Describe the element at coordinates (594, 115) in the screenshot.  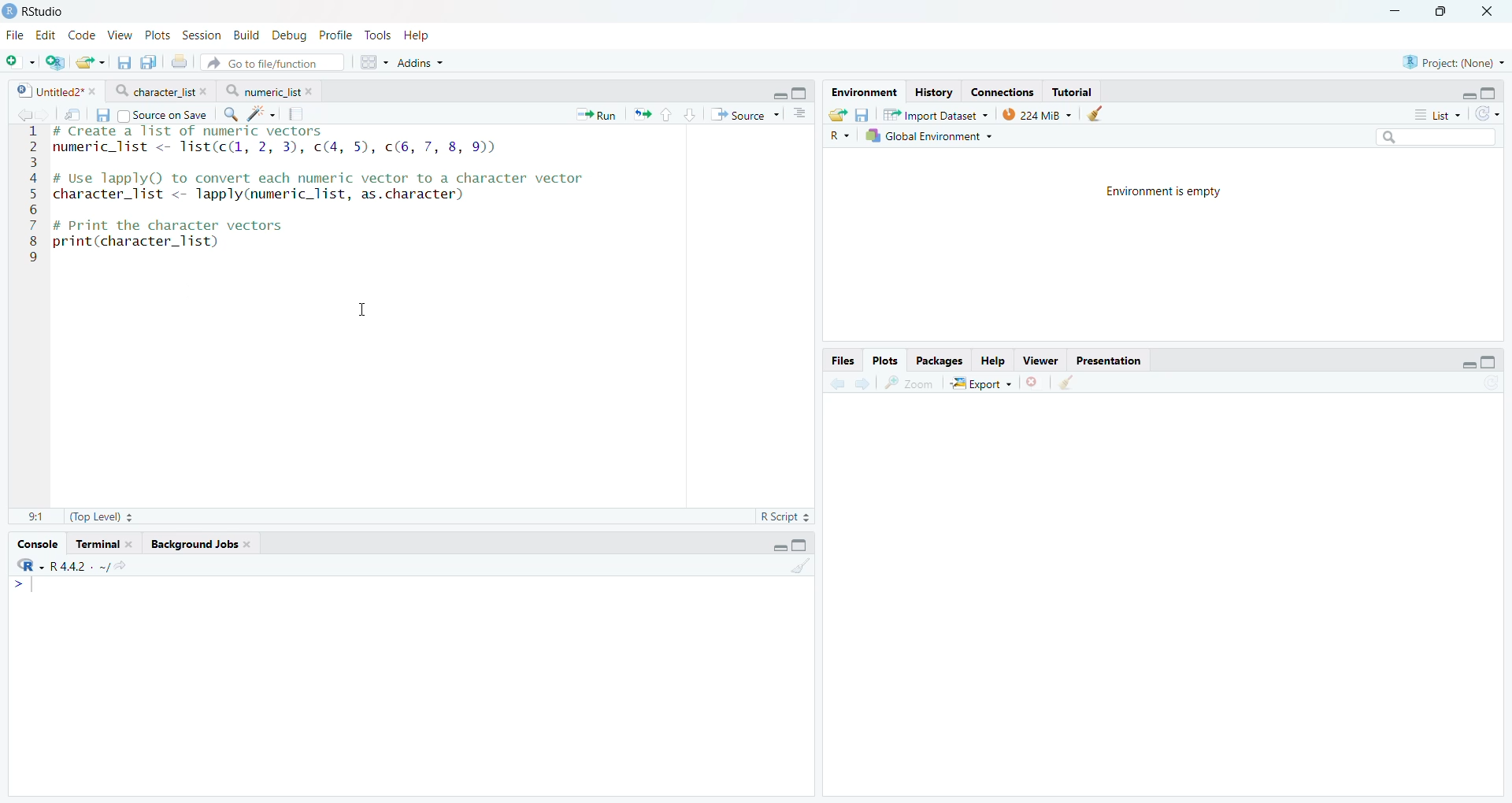
I see `Run current line` at that location.